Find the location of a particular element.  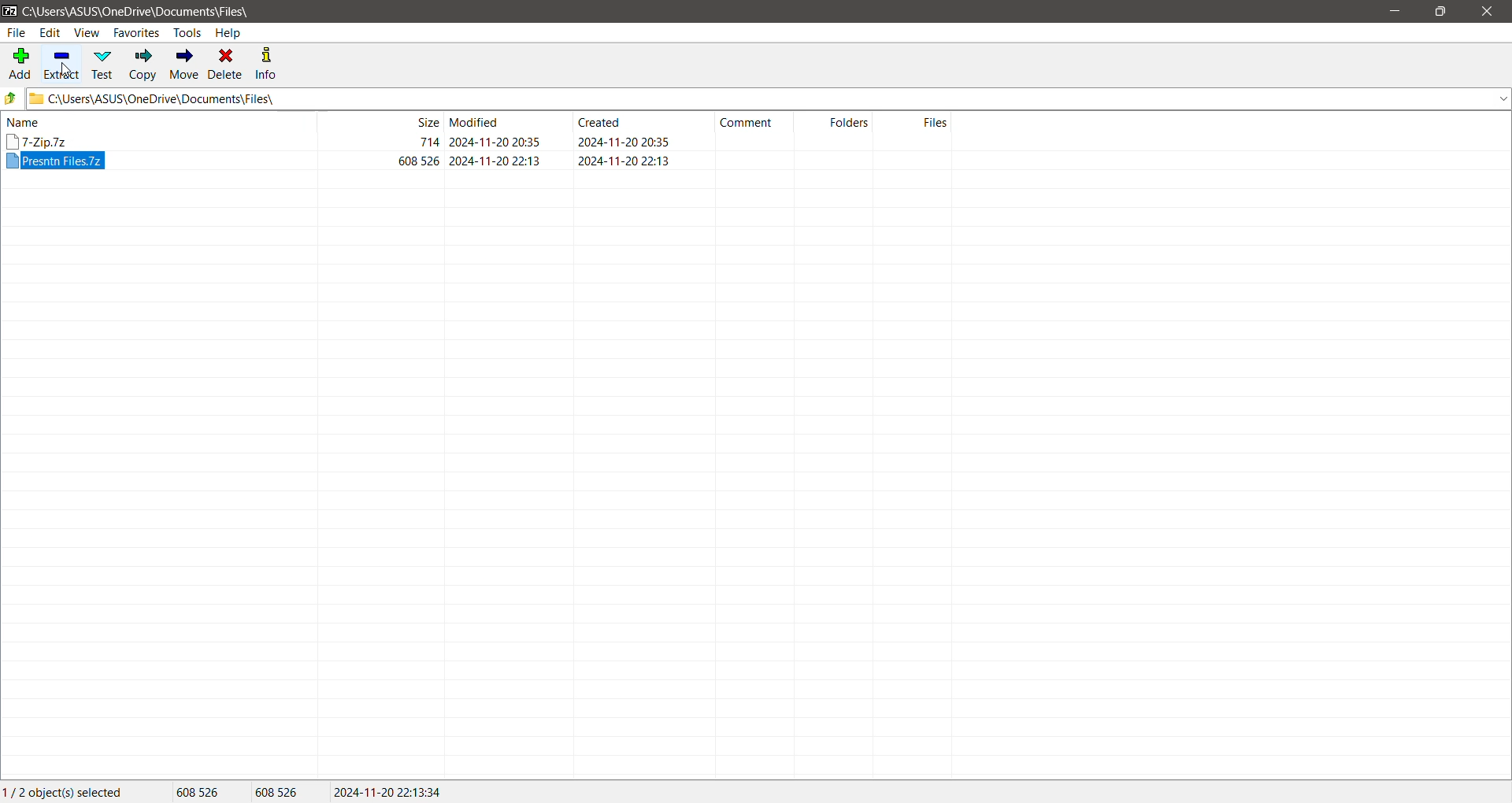

Close is located at coordinates (1490, 12).